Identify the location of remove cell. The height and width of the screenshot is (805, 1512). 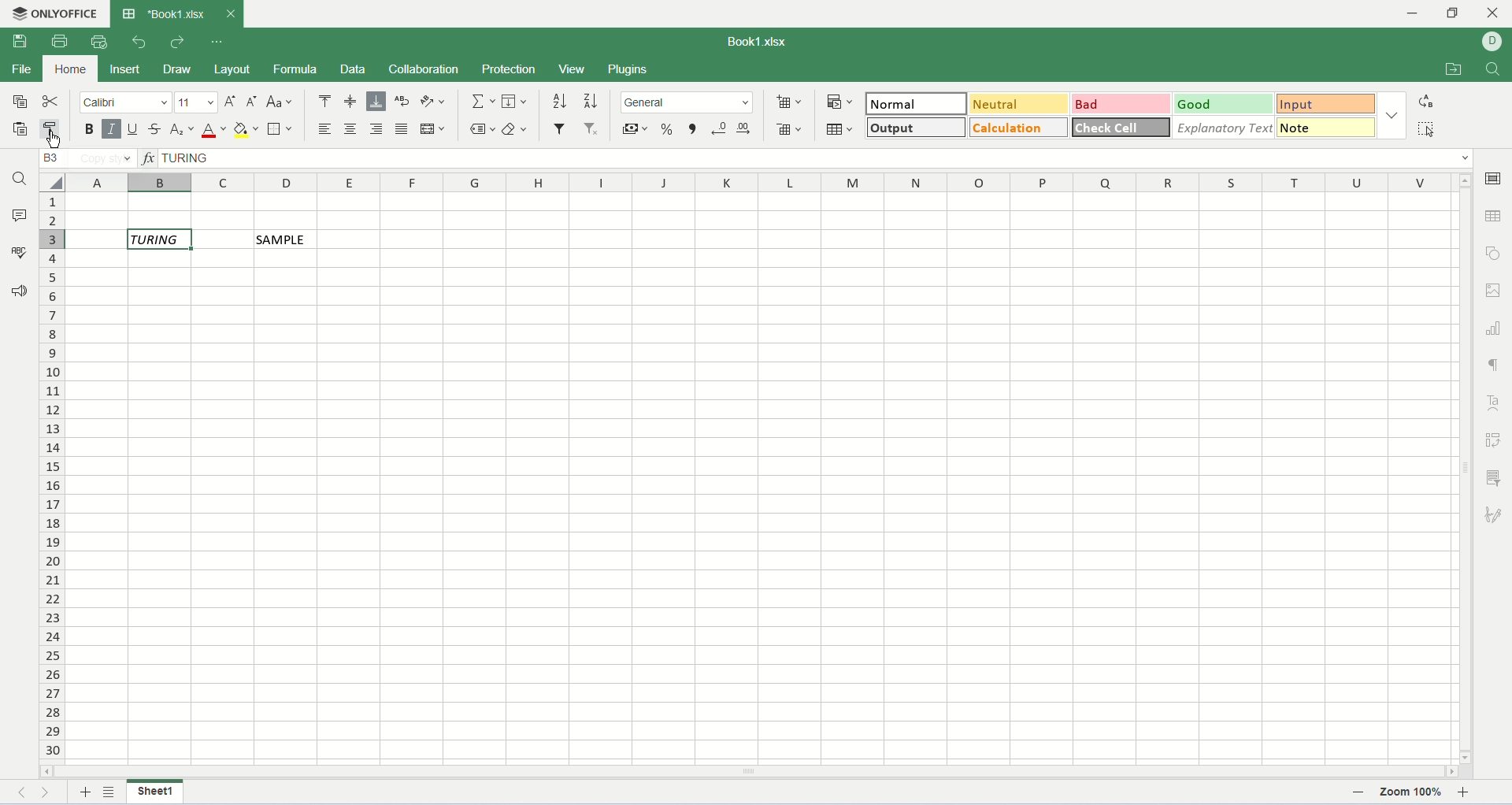
(791, 130).